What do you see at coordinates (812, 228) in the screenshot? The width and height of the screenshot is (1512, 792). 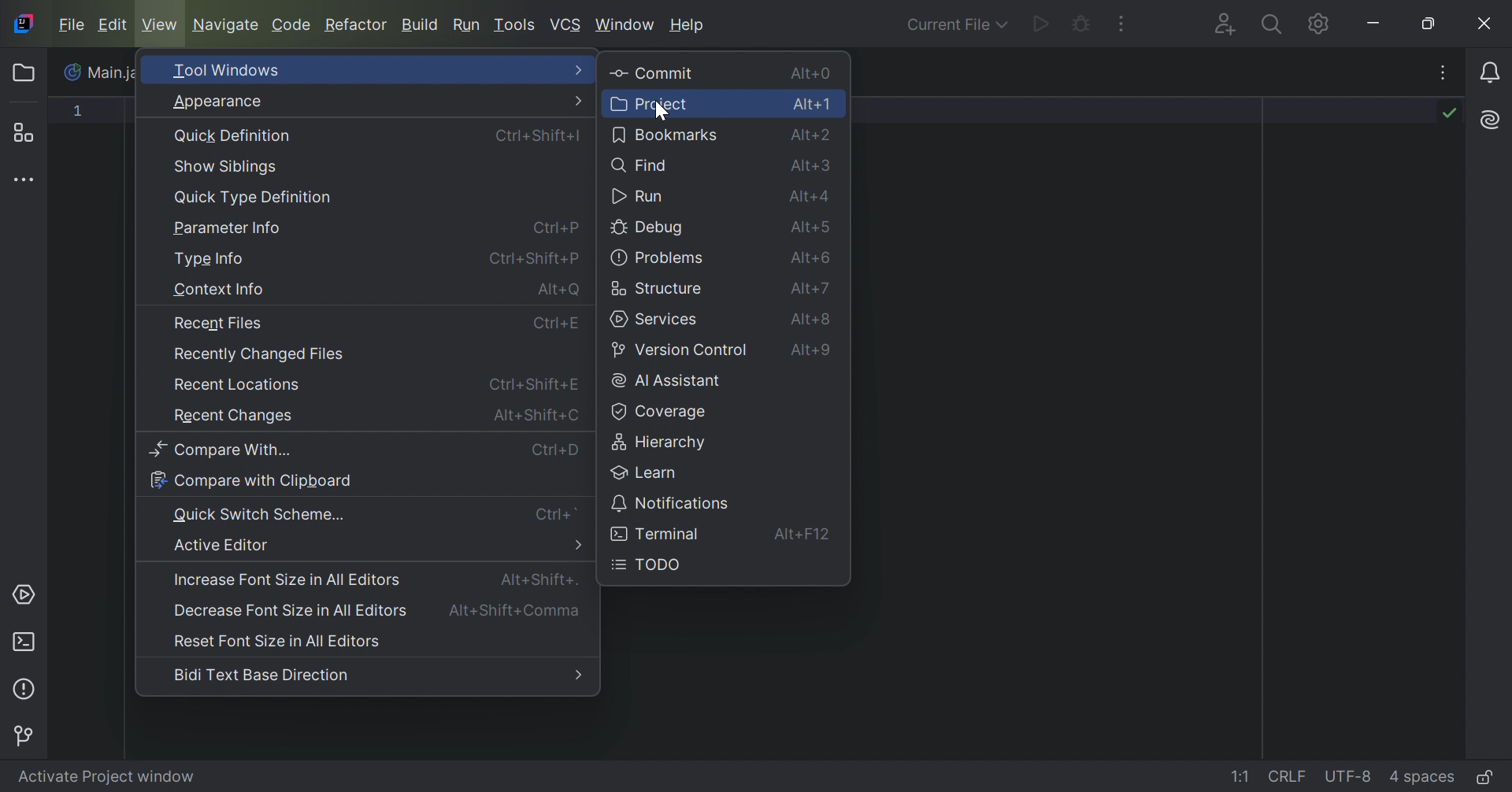 I see `Alt+5` at bounding box center [812, 228].